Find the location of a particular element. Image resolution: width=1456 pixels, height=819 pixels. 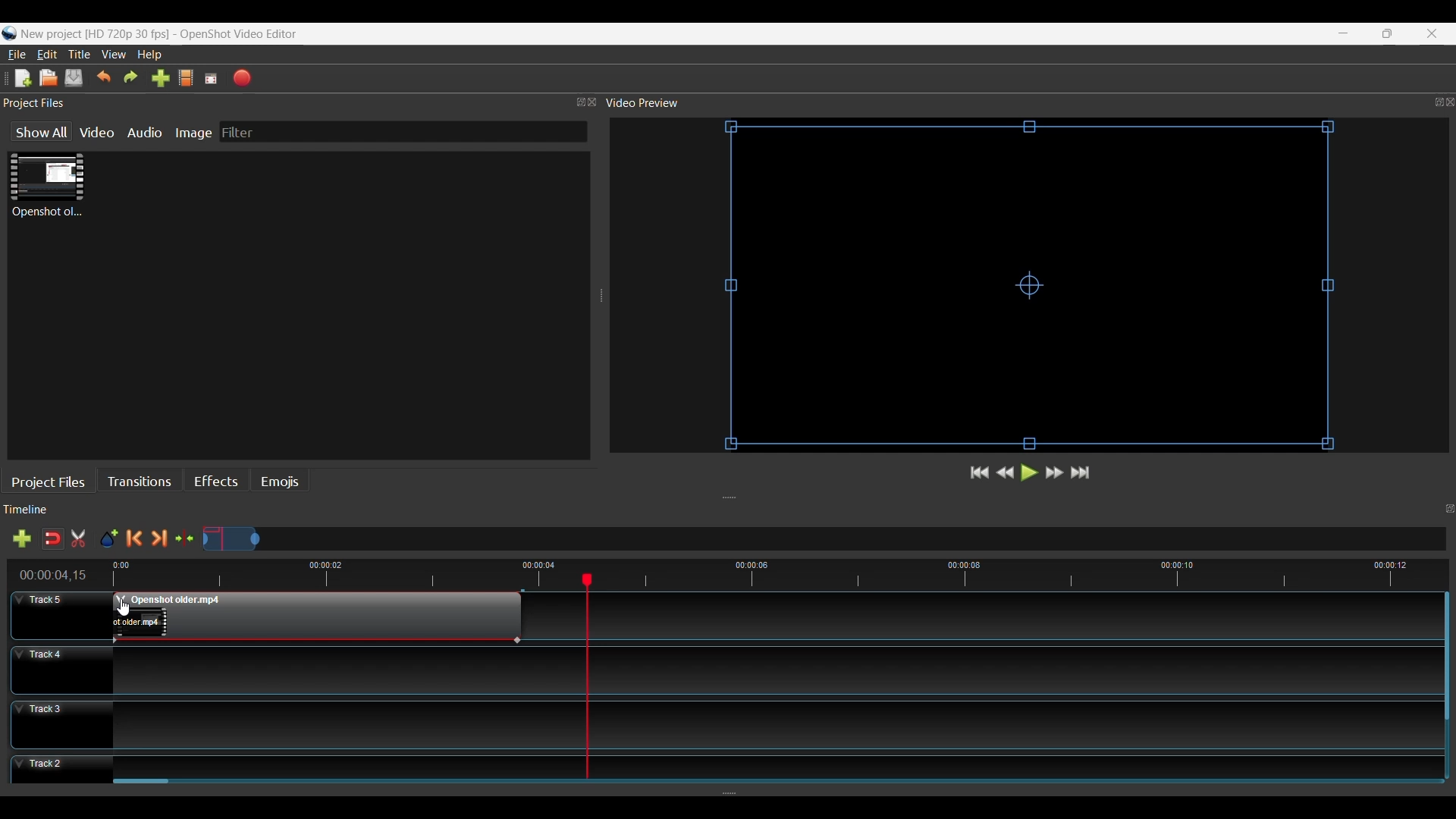

Clip at track Panel is located at coordinates (315, 617).